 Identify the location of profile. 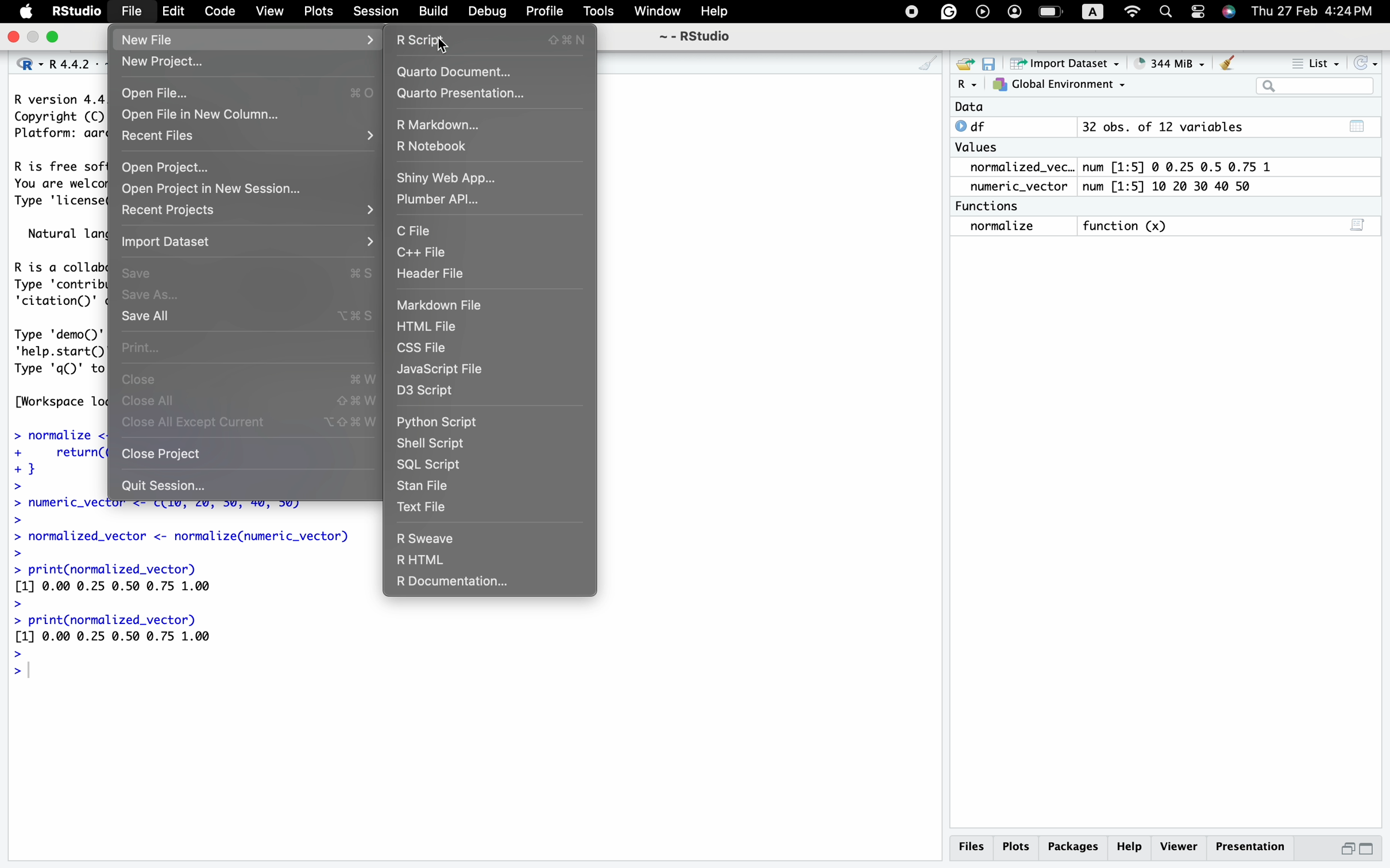
(1013, 12).